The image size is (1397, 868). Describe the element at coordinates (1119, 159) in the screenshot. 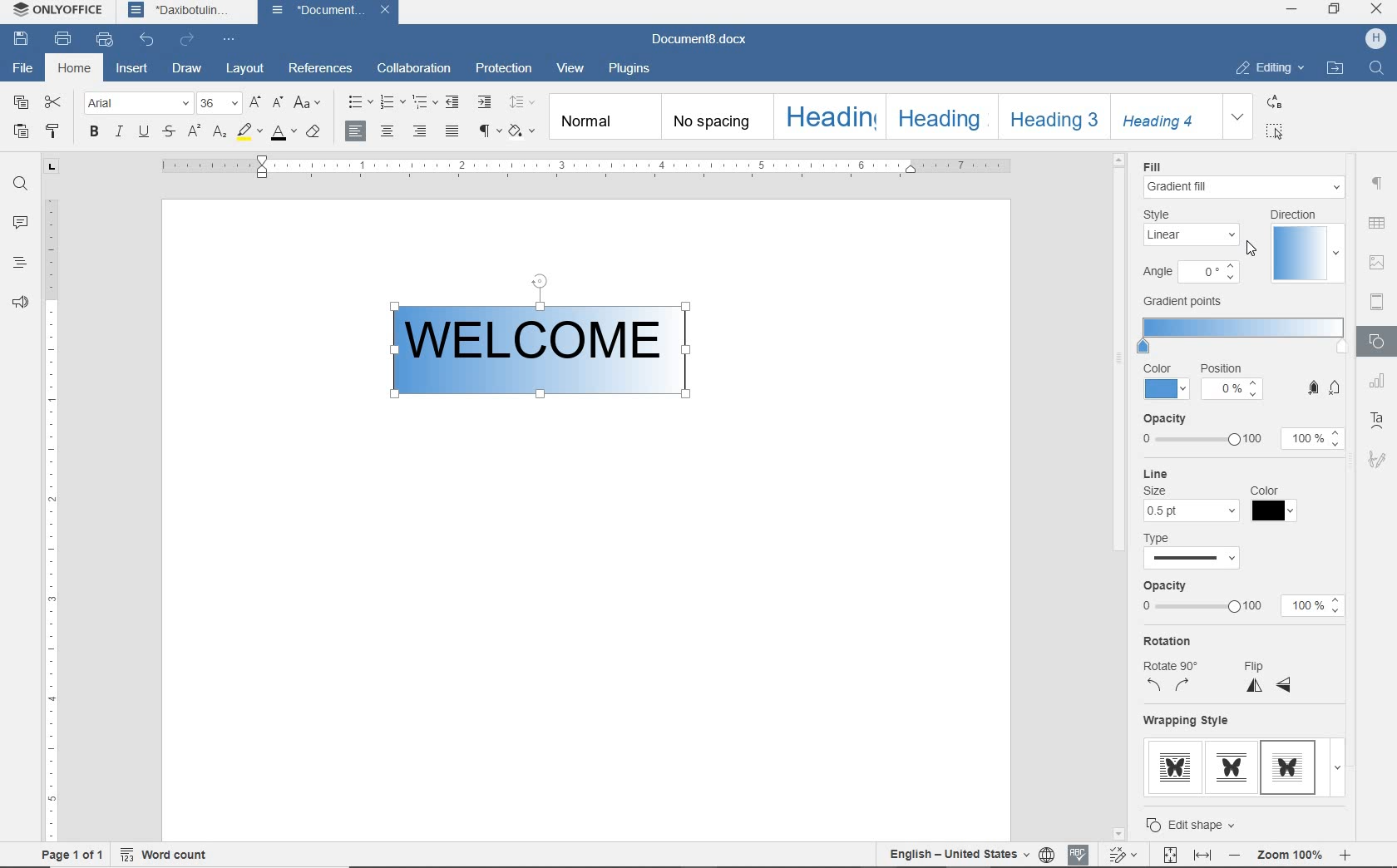

I see `Scroll Up` at that location.